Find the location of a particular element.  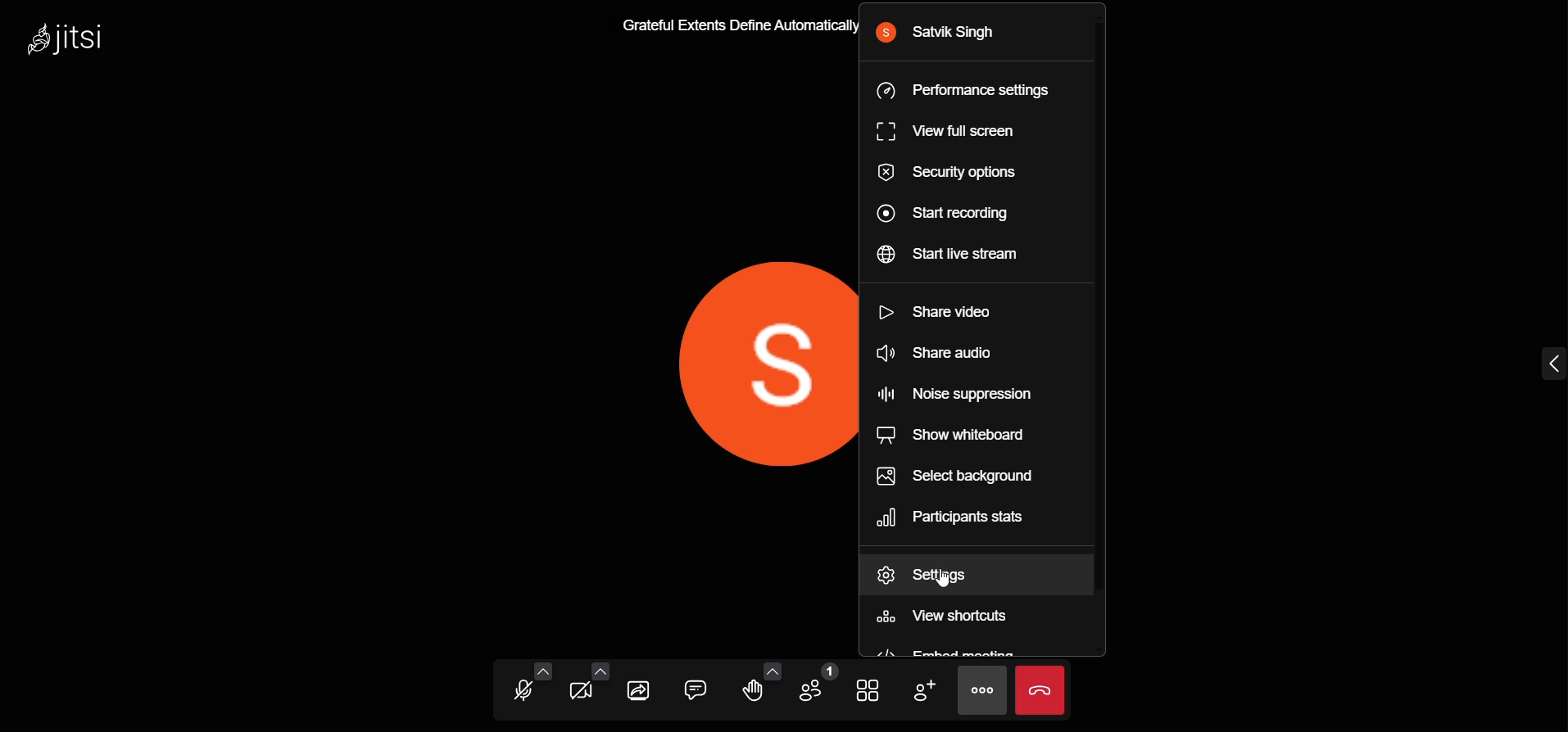

show whiteboard is located at coordinates (954, 436).